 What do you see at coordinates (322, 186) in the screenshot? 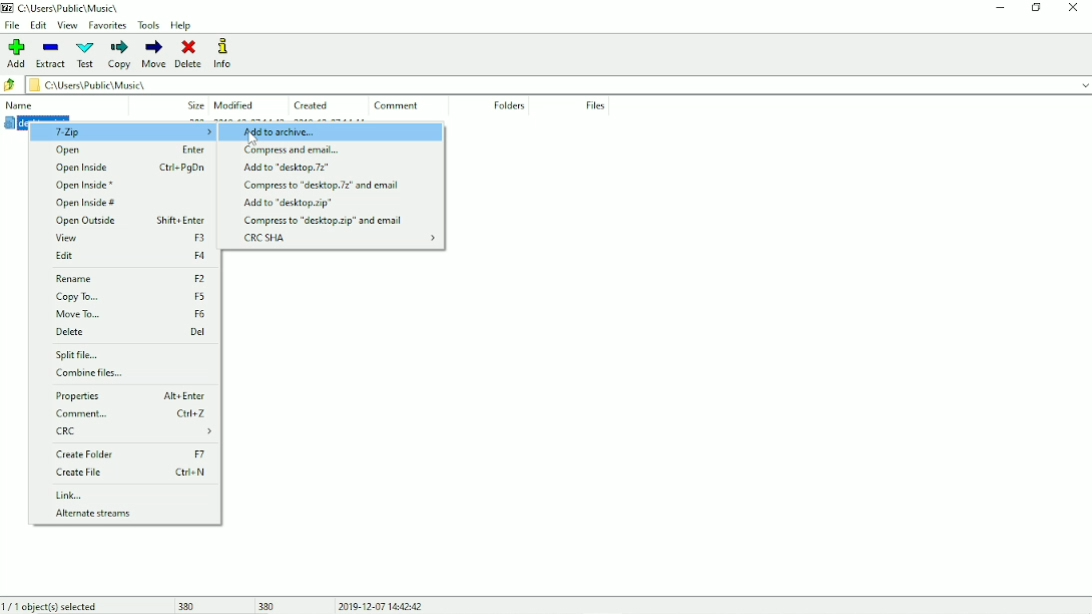
I see `Compress to "desktop.7z" and email` at bounding box center [322, 186].